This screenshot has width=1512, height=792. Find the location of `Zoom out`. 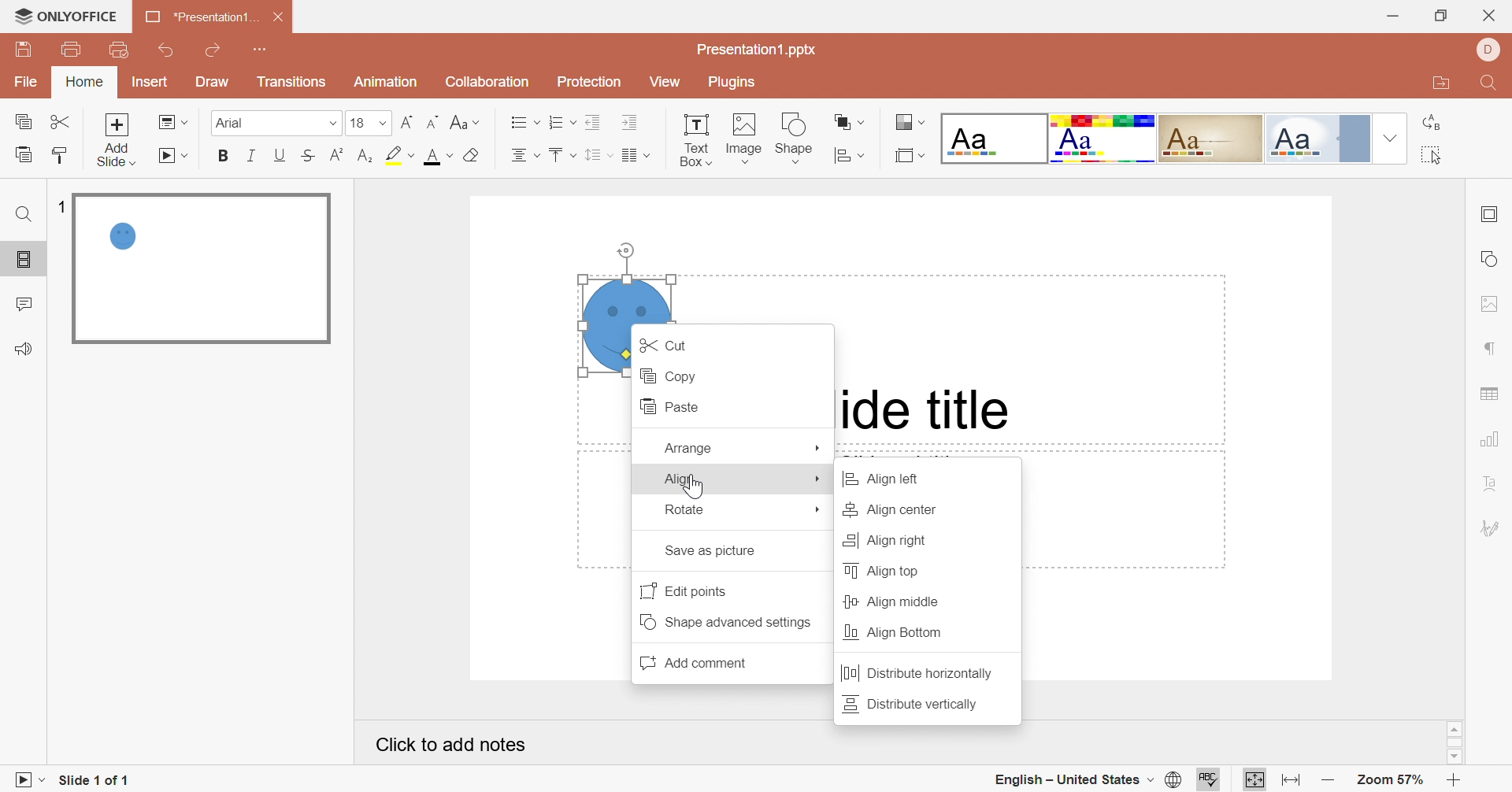

Zoom out is located at coordinates (1329, 781).